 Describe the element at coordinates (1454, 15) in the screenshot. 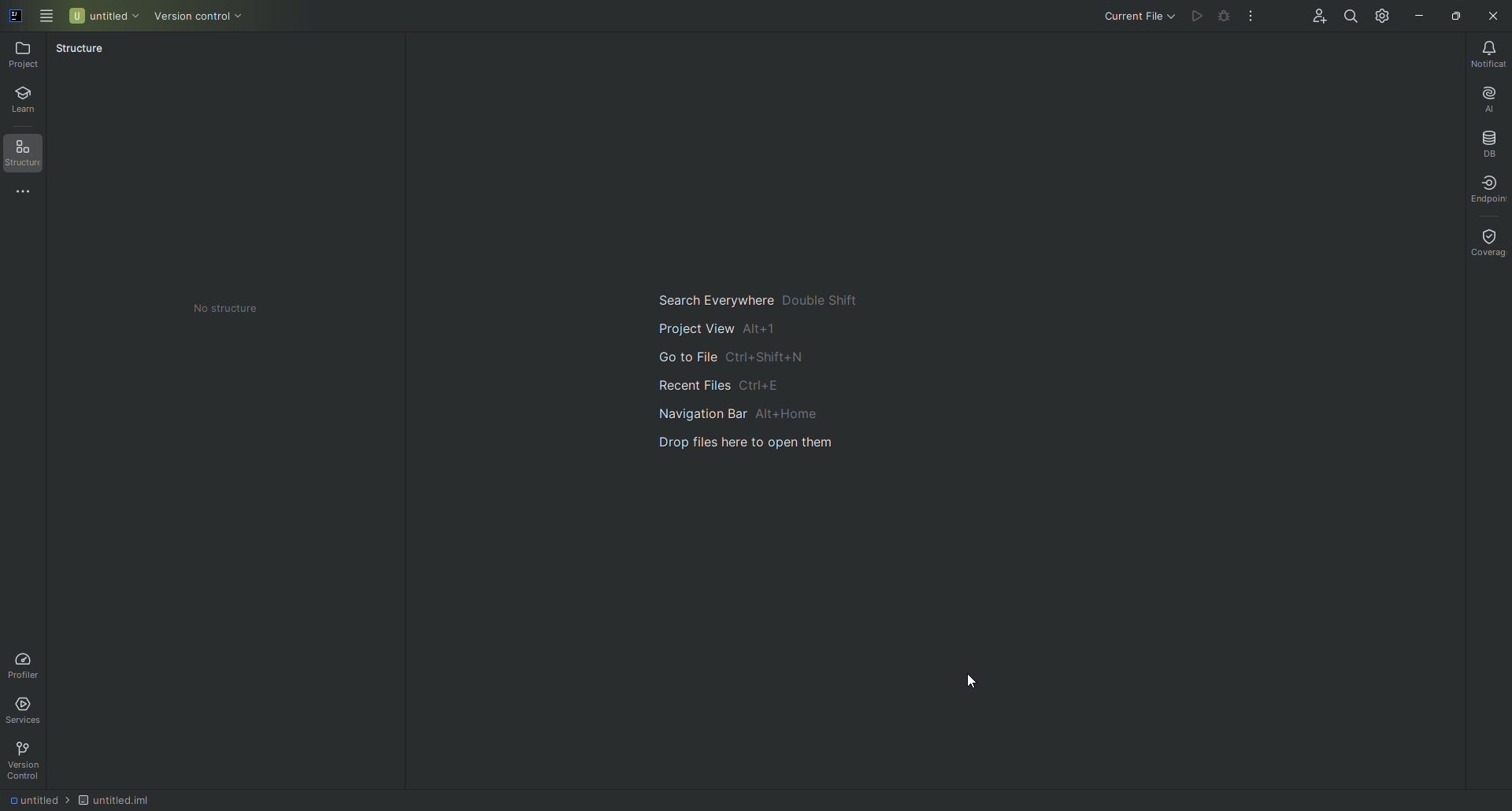

I see `Restore` at that location.